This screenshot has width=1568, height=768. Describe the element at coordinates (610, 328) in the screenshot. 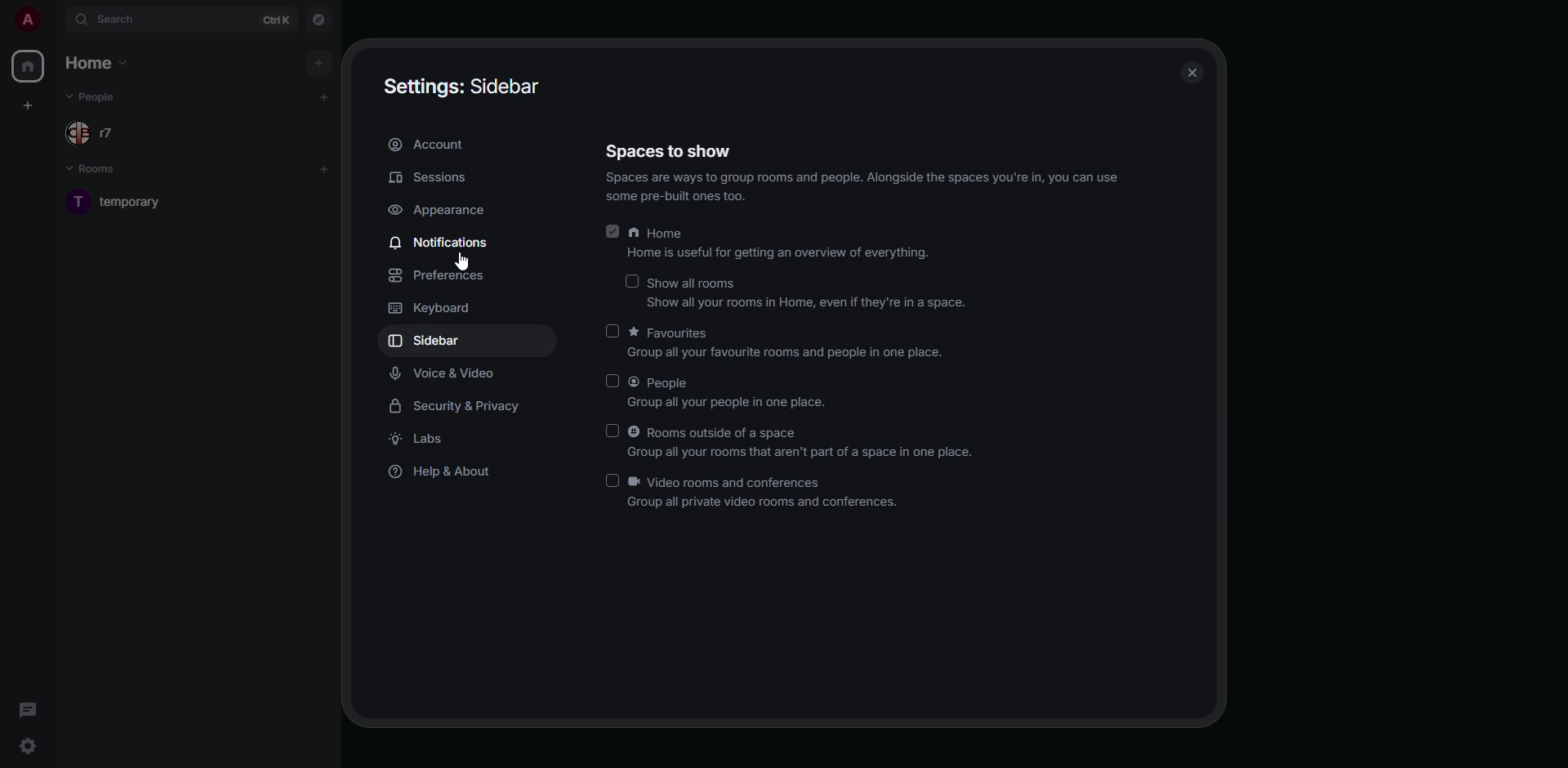

I see `click to enable` at that location.